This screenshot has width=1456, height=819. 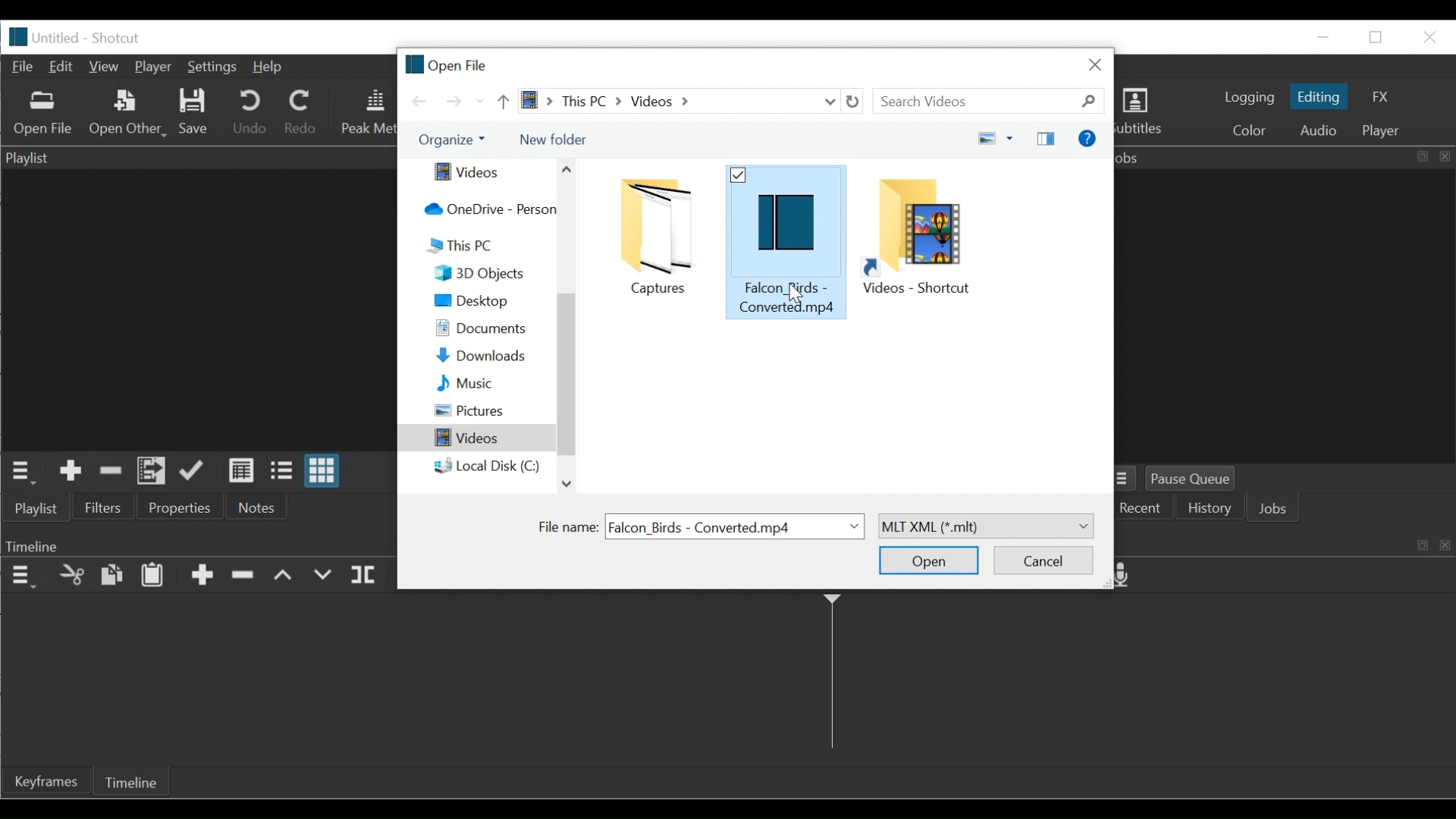 I want to click on View as files, so click(x=285, y=472).